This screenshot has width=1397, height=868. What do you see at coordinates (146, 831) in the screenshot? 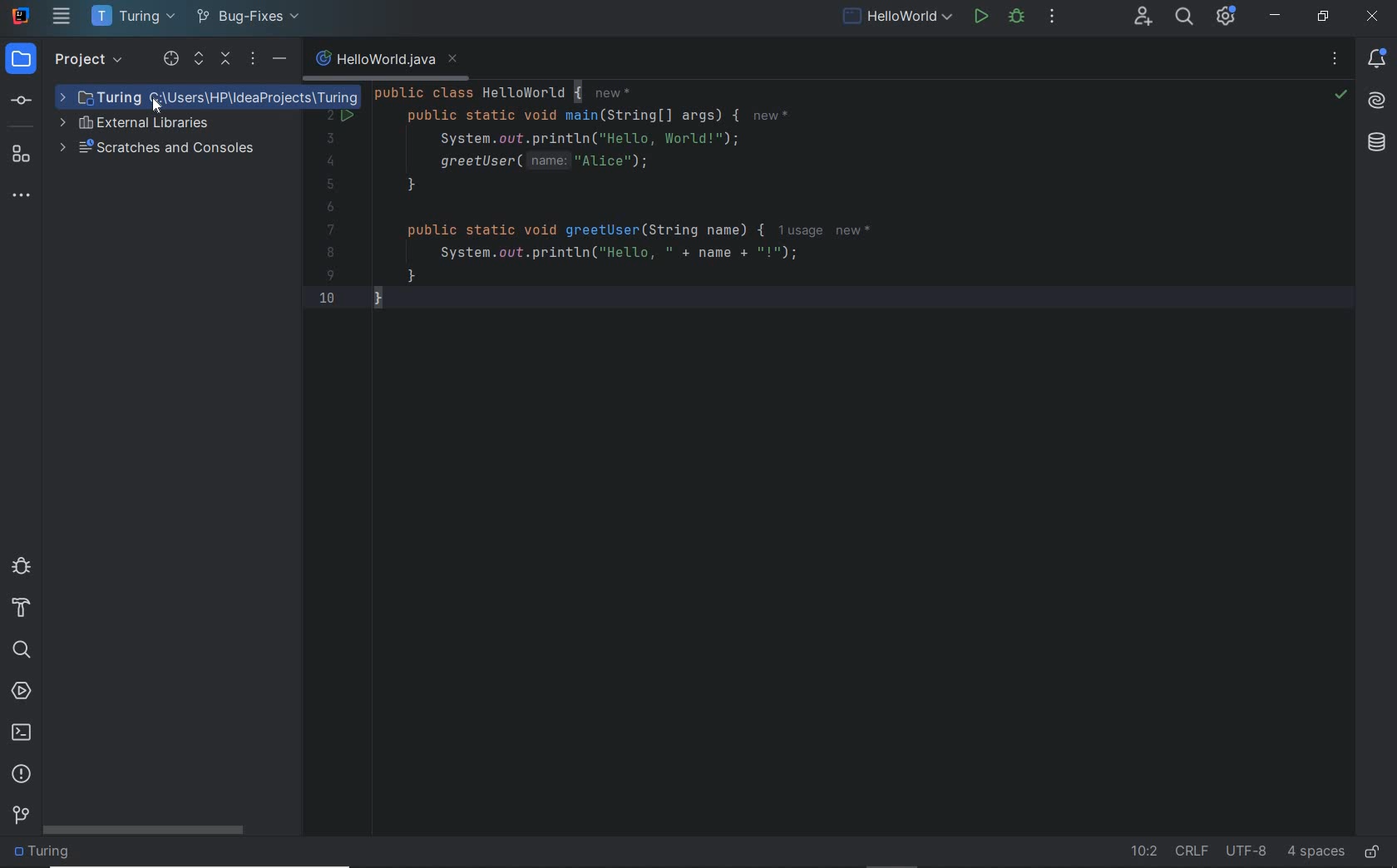
I see `scrollbar` at bounding box center [146, 831].